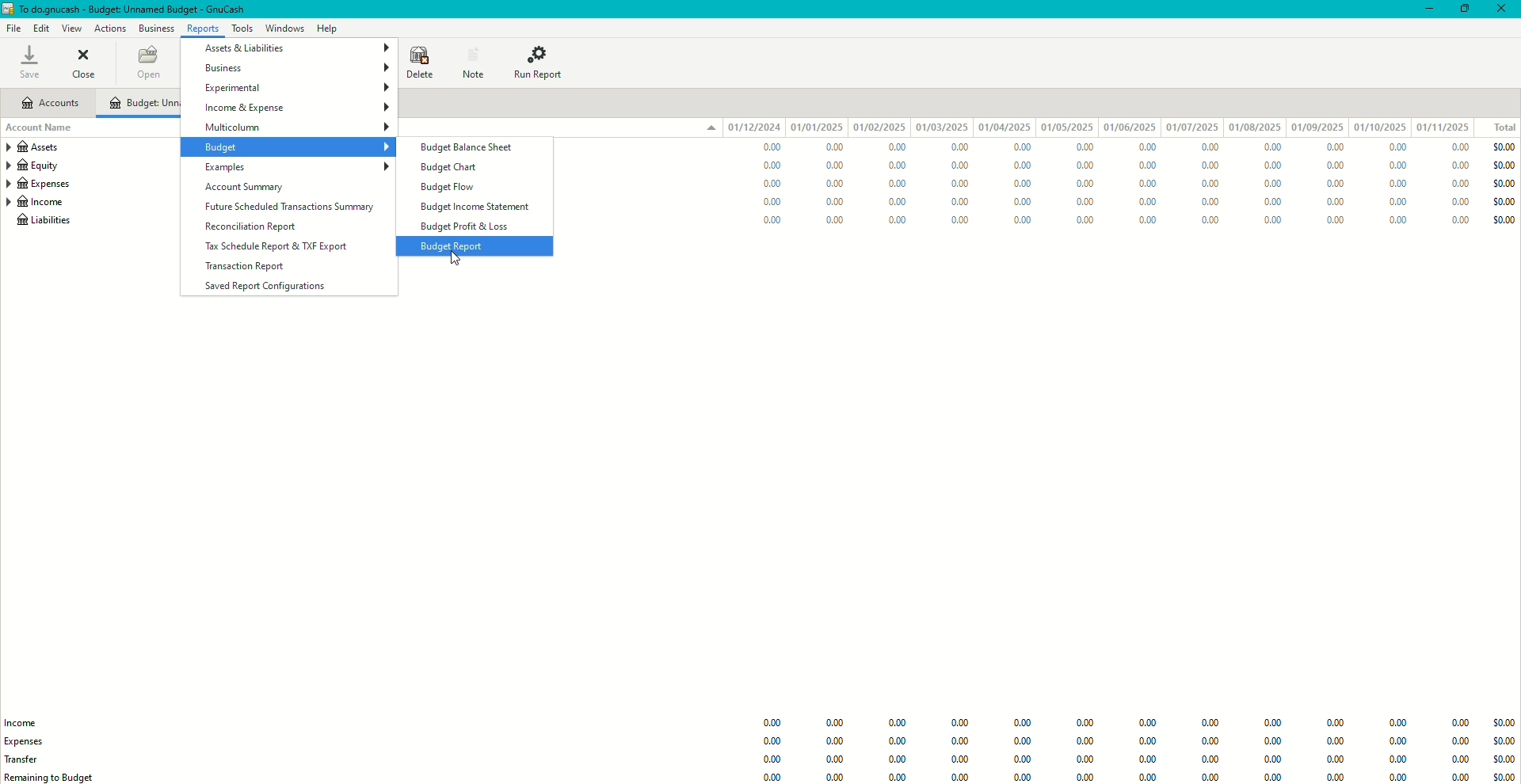 This screenshot has height=784, width=1521. Describe the element at coordinates (1424, 9) in the screenshot. I see `Minimize` at that location.